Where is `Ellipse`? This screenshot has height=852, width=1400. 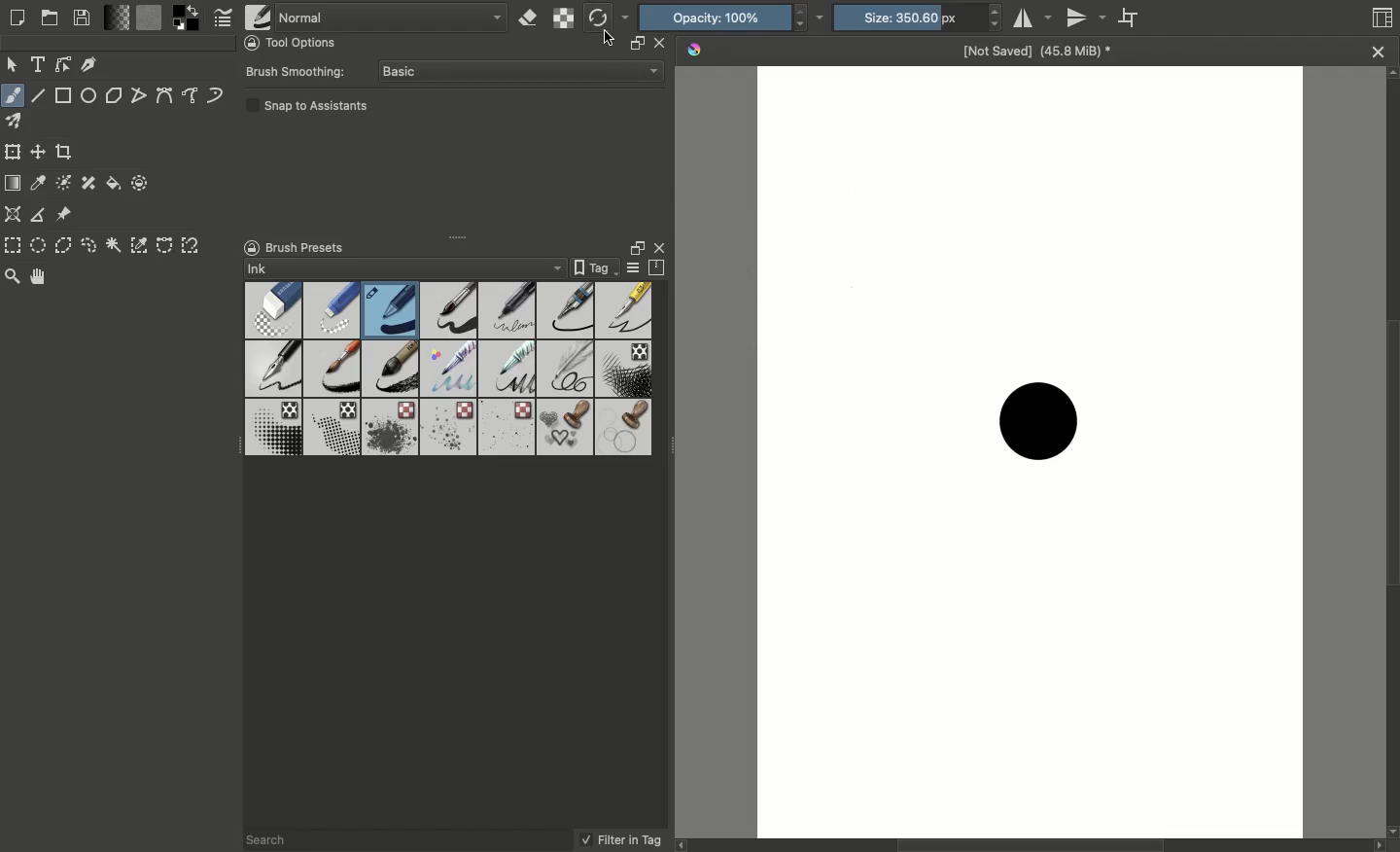 Ellipse is located at coordinates (88, 94).